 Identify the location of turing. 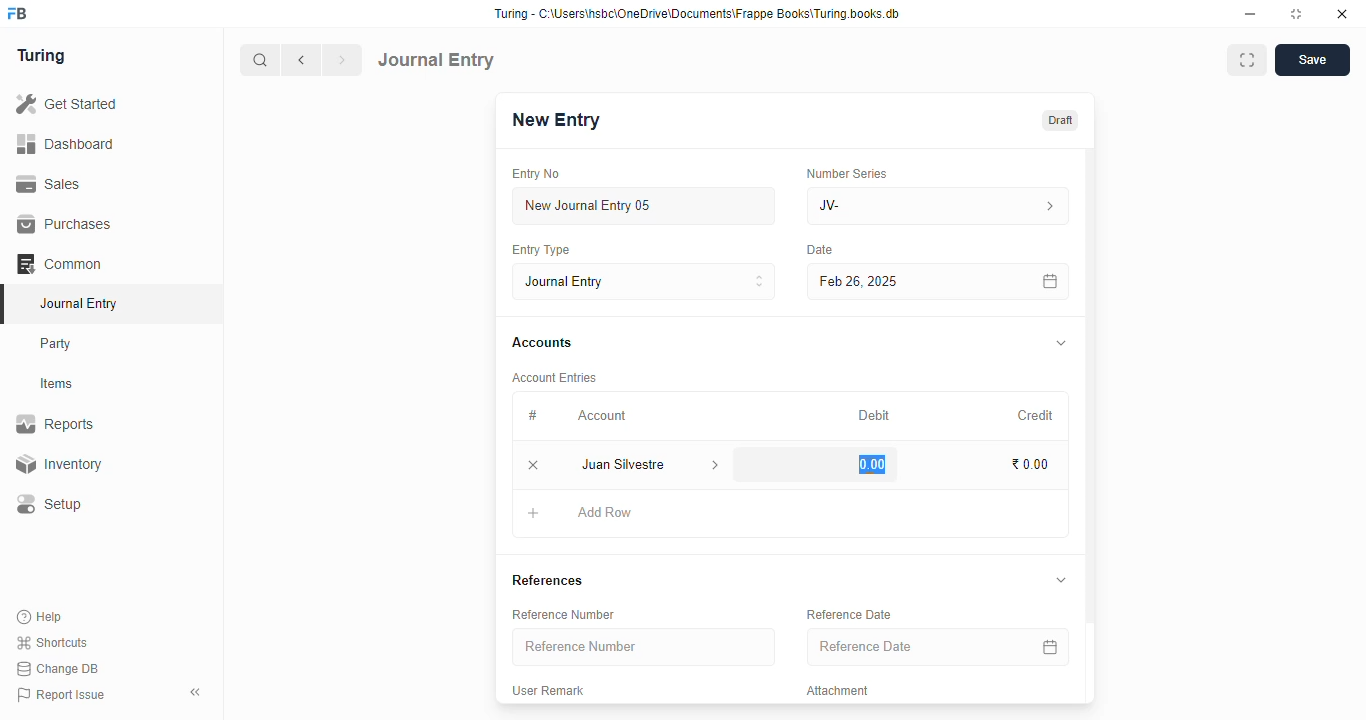
(42, 57).